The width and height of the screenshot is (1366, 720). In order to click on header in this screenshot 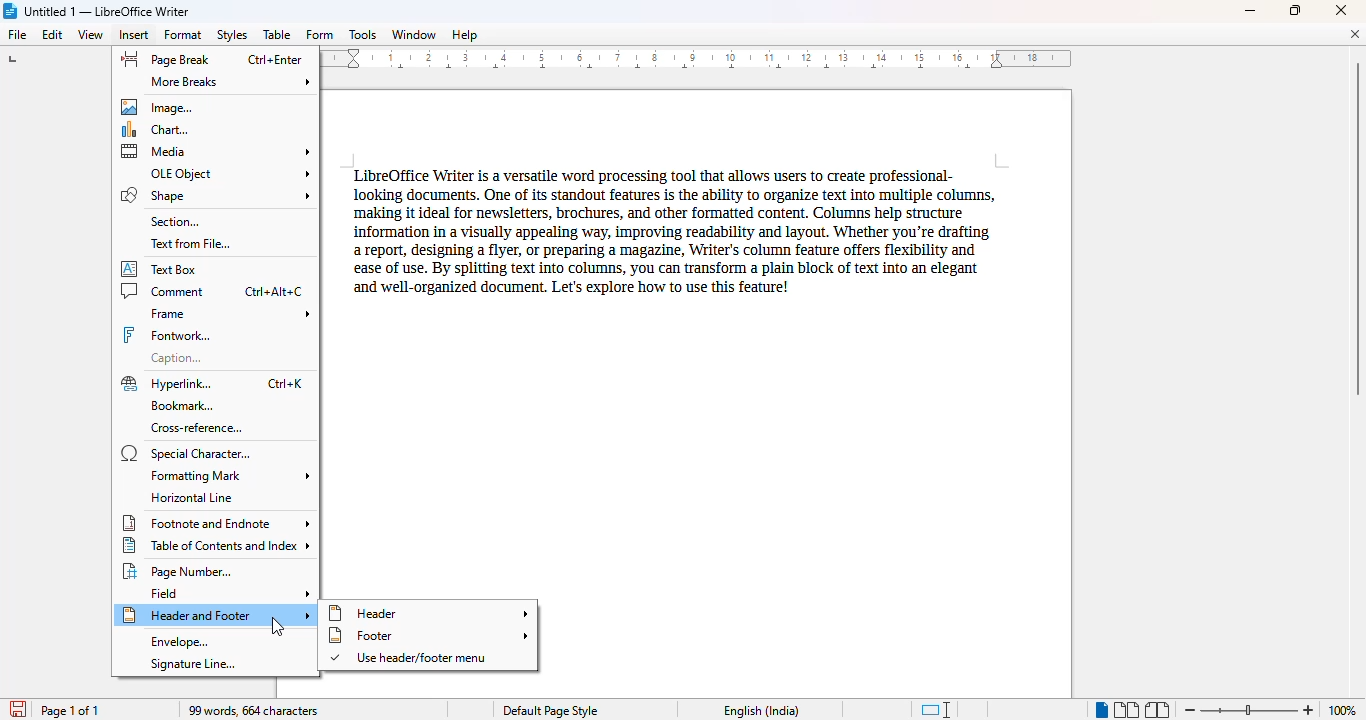, I will do `click(429, 613)`.